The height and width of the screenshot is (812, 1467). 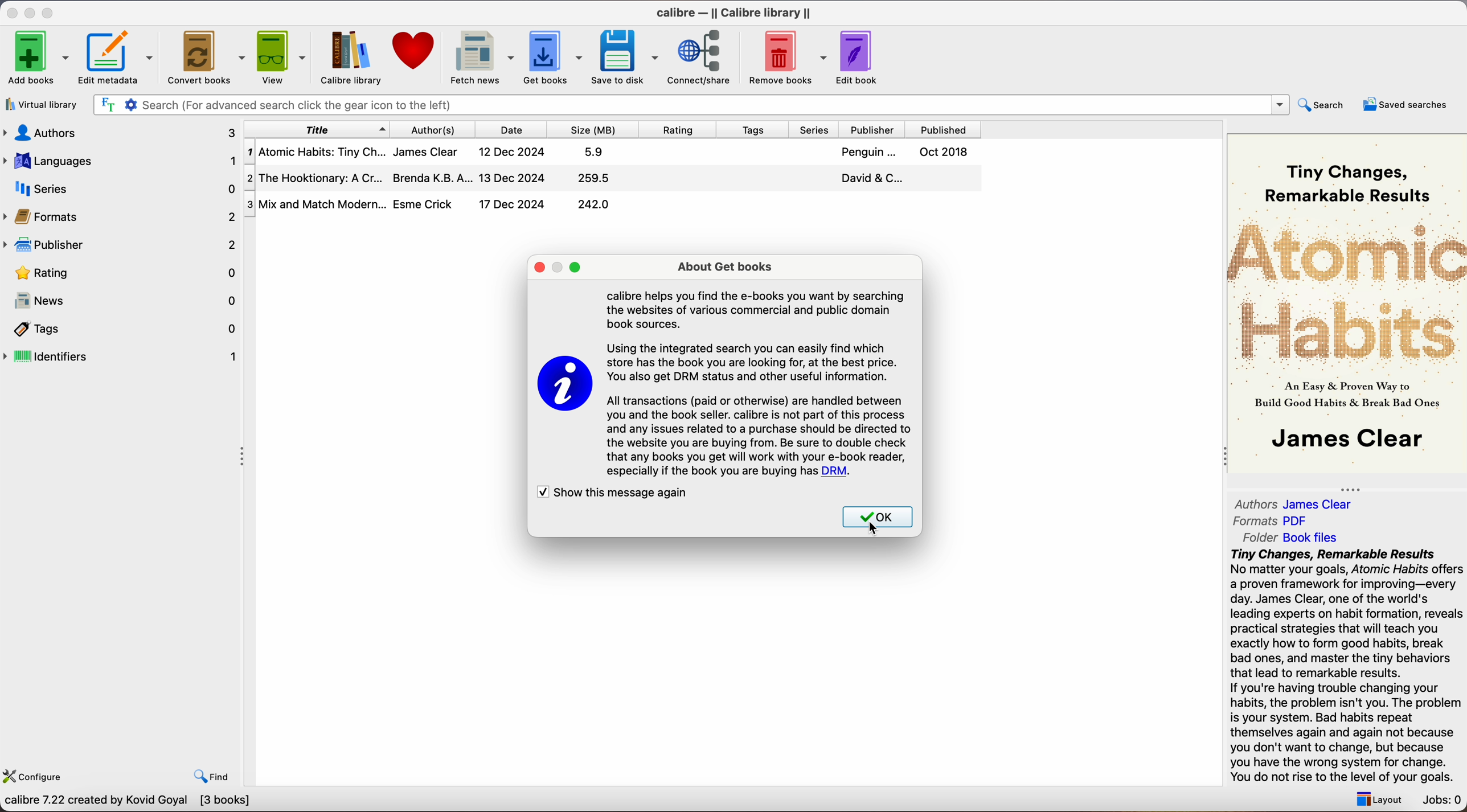 I want to click on donate, so click(x=415, y=51).